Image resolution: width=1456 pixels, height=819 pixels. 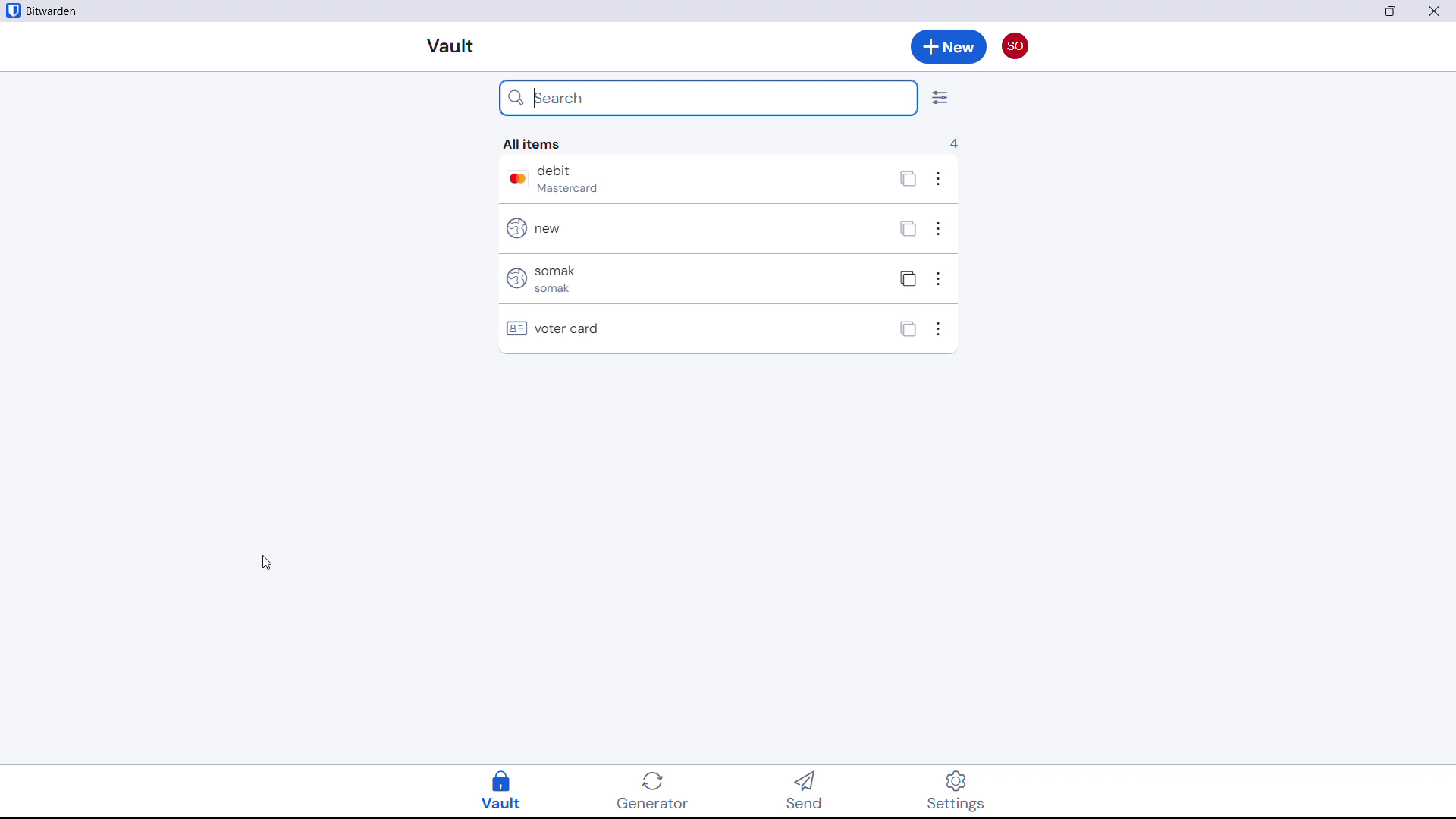 What do you see at coordinates (940, 330) in the screenshot?
I see `option for "voter card"` at bounding box center [940, 330].